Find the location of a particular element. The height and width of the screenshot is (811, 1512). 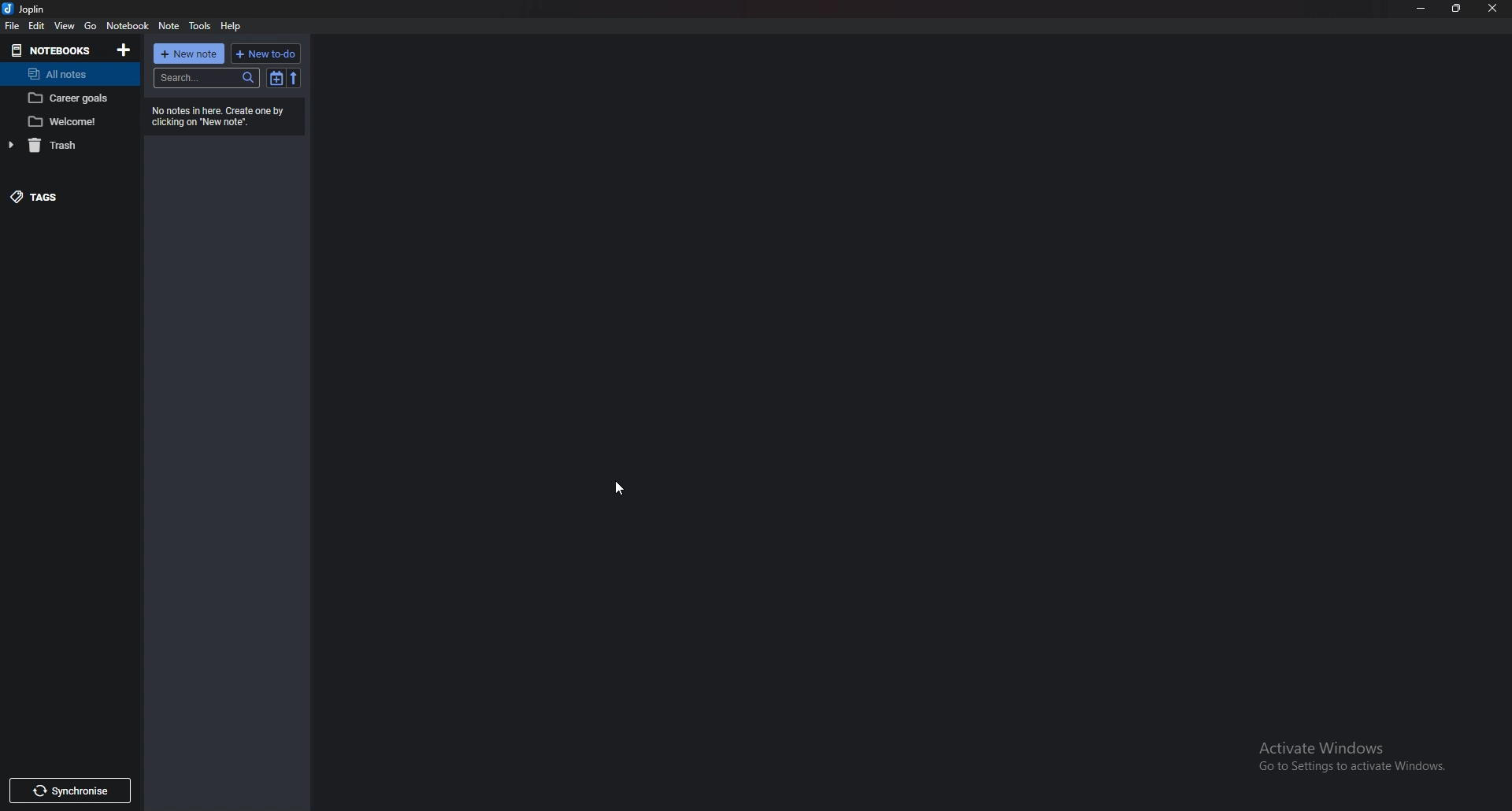

tools is located at coordinates (199, 26).